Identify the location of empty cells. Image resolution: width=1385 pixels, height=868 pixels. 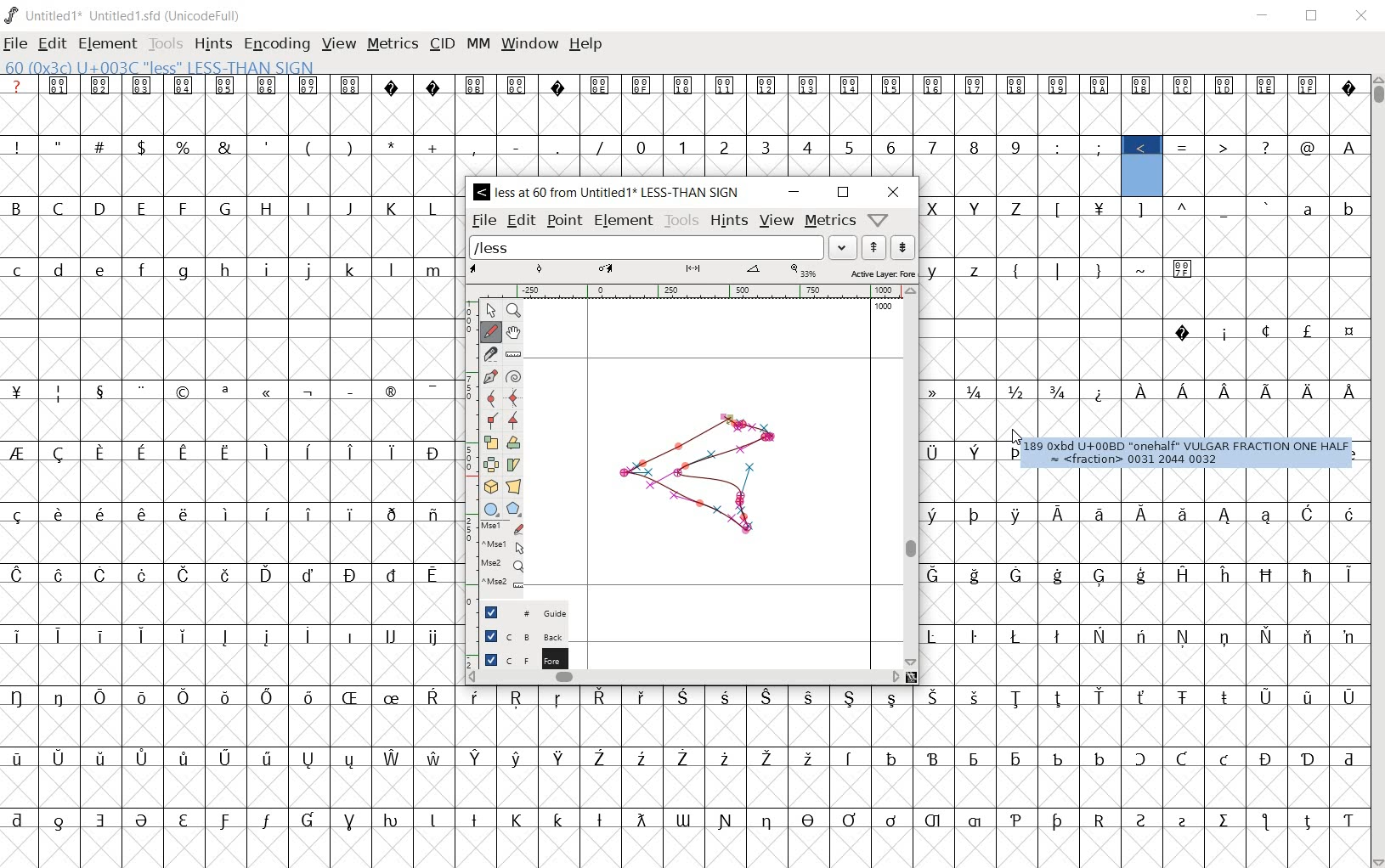
(1262, 176).